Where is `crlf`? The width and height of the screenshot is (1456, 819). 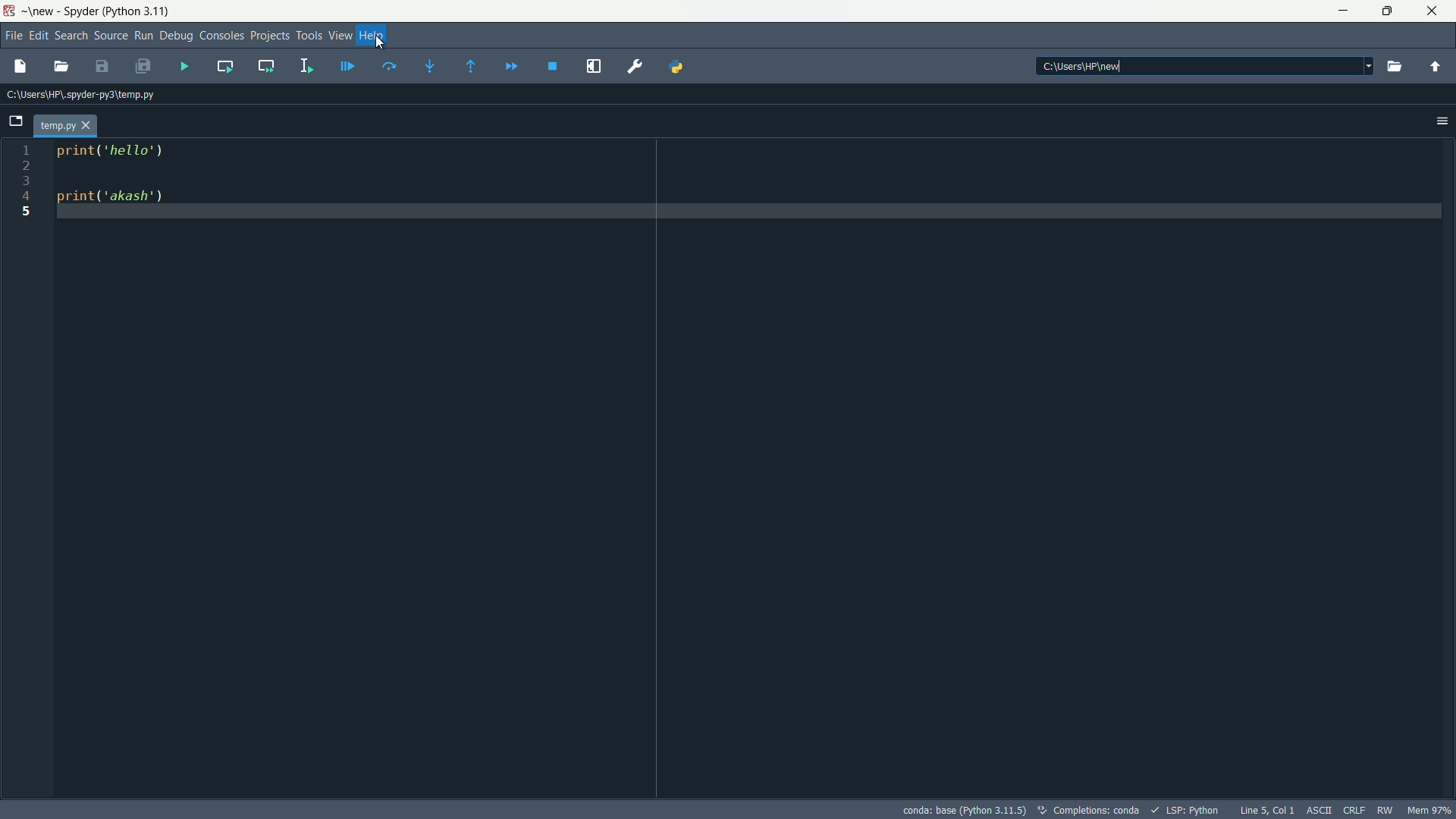
crlf is located at coordinates (1354, 810).